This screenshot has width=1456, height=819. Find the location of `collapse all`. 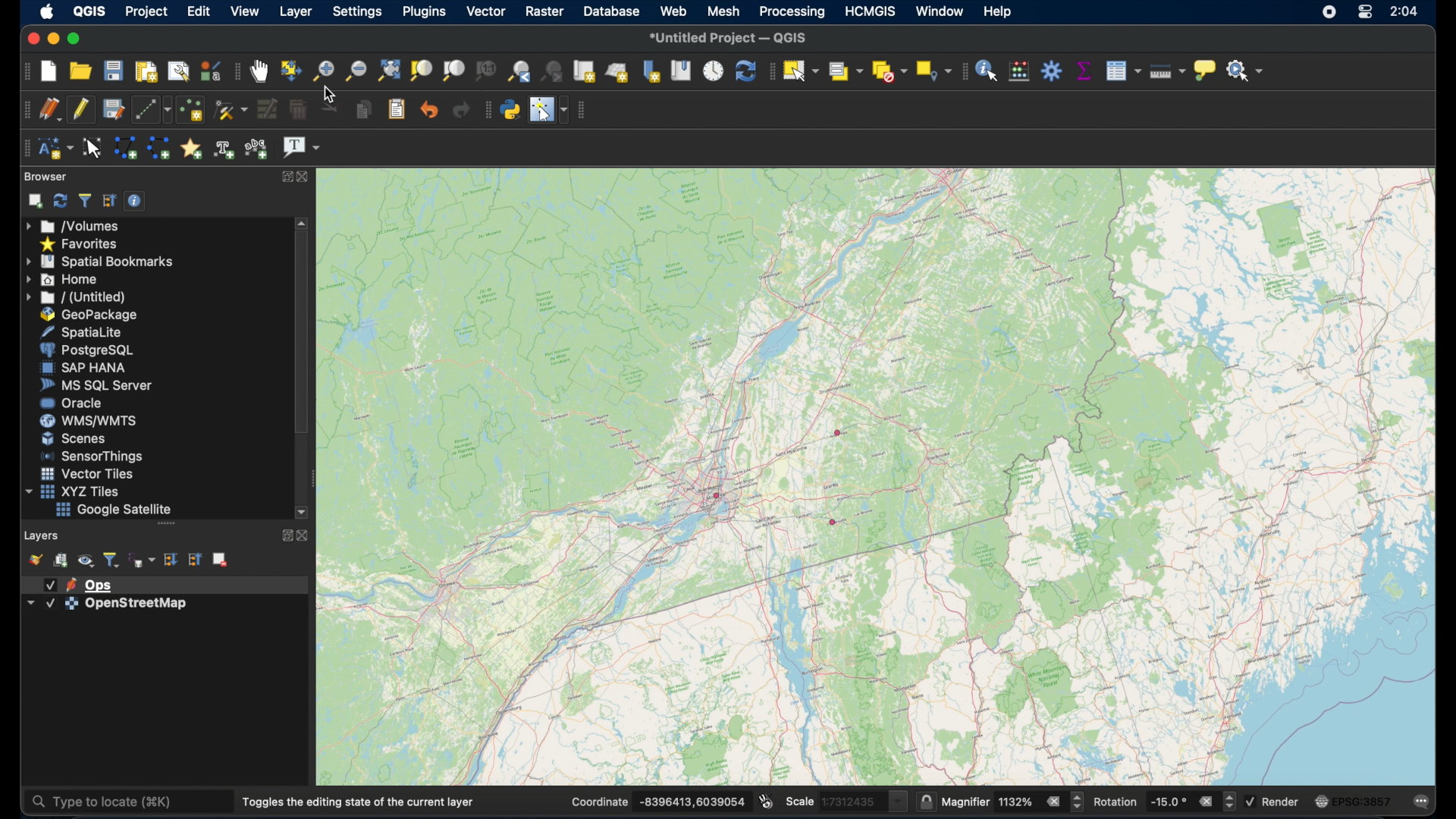

collapse all is located at coordinates (110, 201).